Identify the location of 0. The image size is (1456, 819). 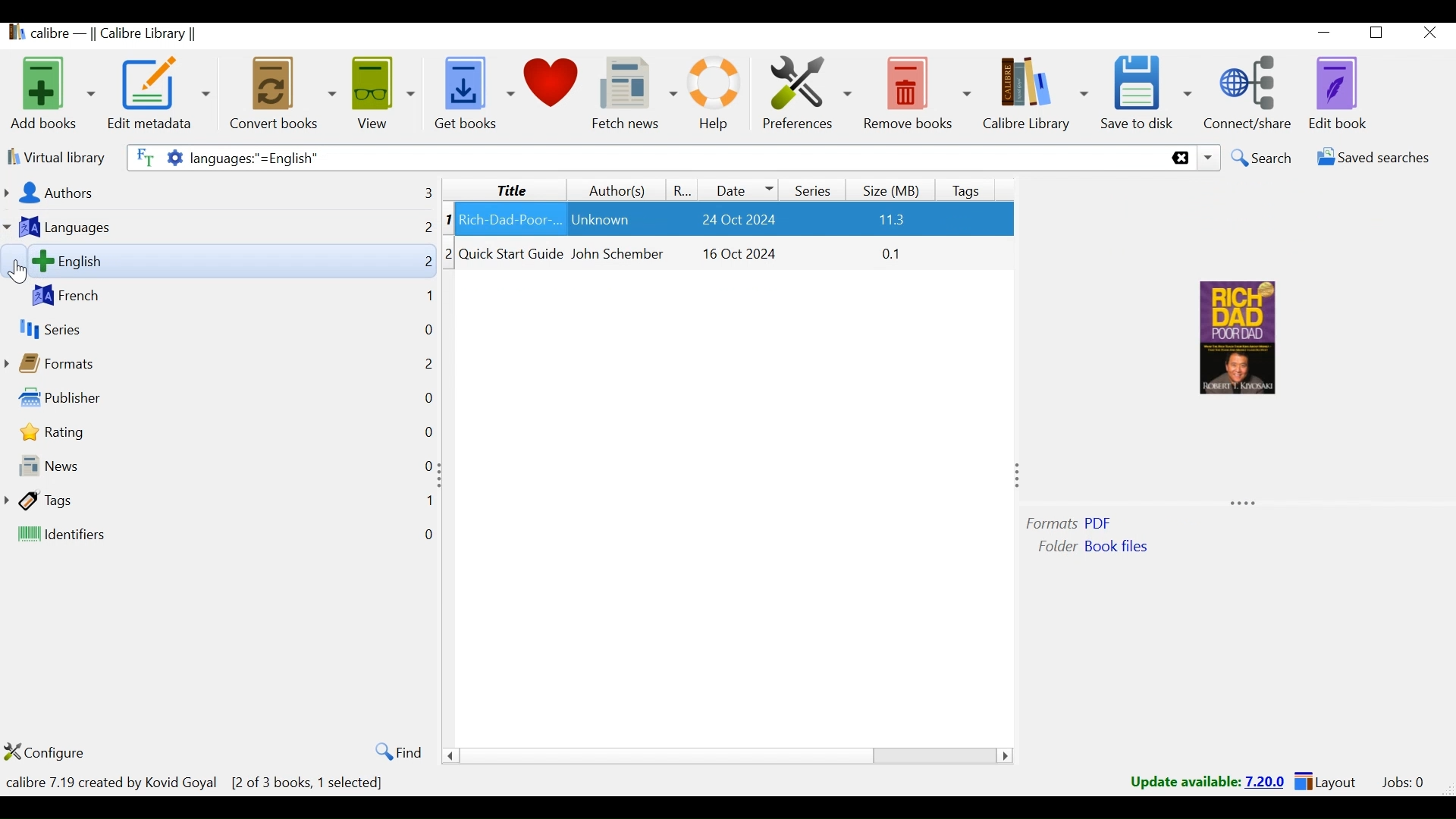
(424, 431).